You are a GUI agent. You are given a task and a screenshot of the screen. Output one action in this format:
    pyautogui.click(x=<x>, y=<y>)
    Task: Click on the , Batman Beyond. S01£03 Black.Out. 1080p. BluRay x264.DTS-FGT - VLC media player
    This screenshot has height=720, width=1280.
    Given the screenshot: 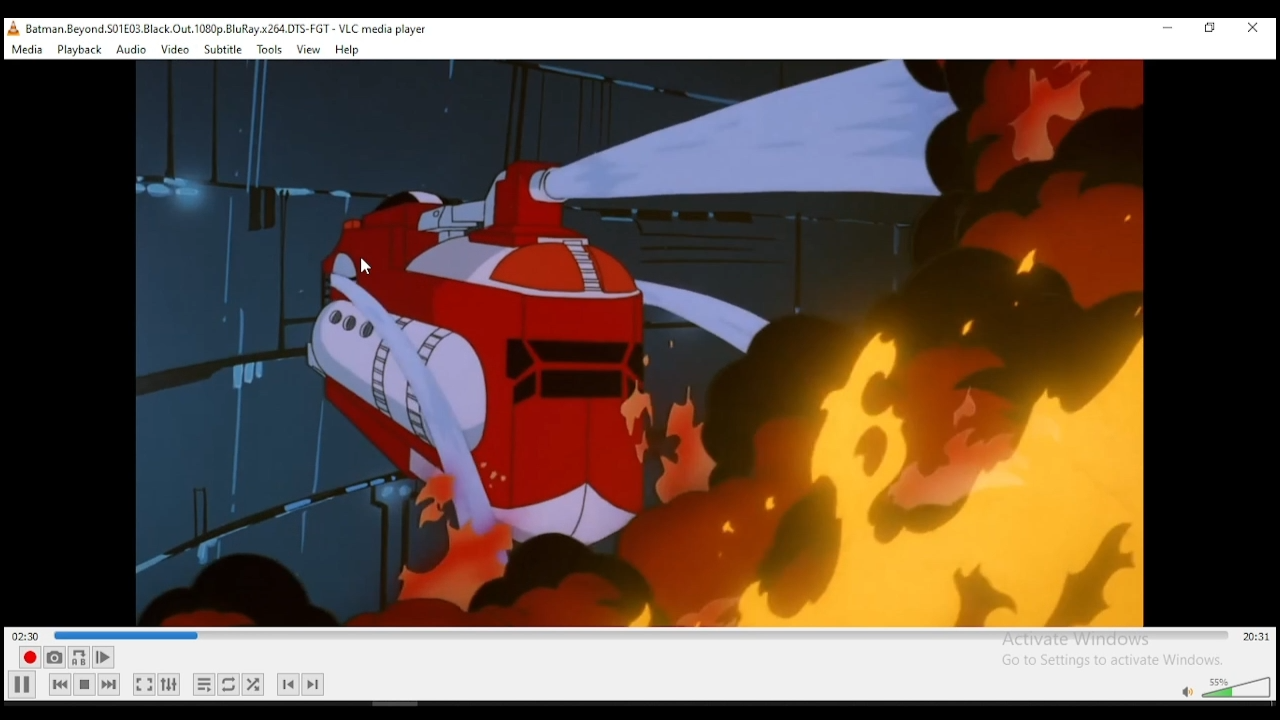 What is the action you would take?
    pyautogui.click(x=224, y=29)
    